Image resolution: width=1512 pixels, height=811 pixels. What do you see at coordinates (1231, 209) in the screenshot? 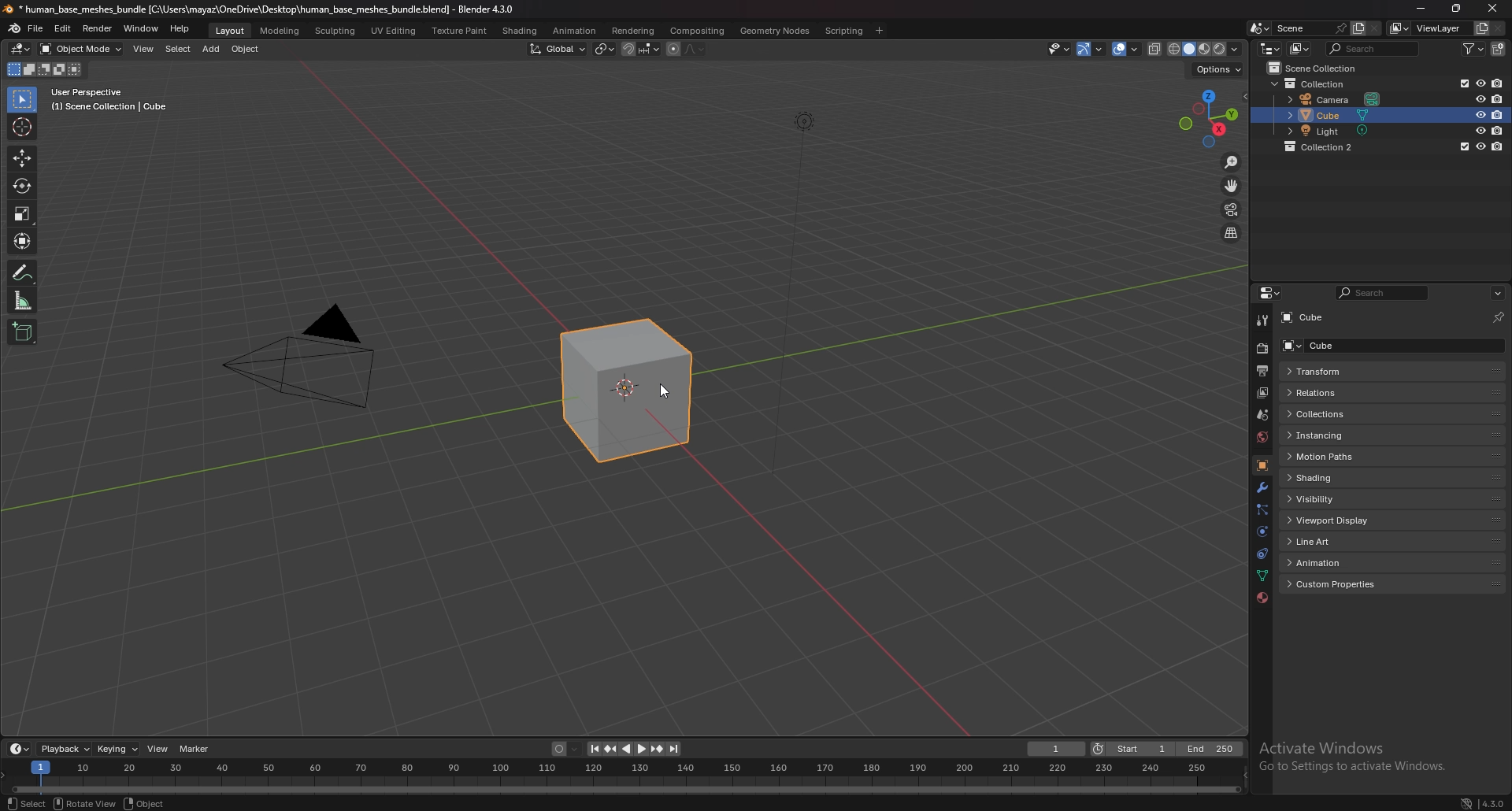
I see `camera view` at bounding box center [1231, 209].